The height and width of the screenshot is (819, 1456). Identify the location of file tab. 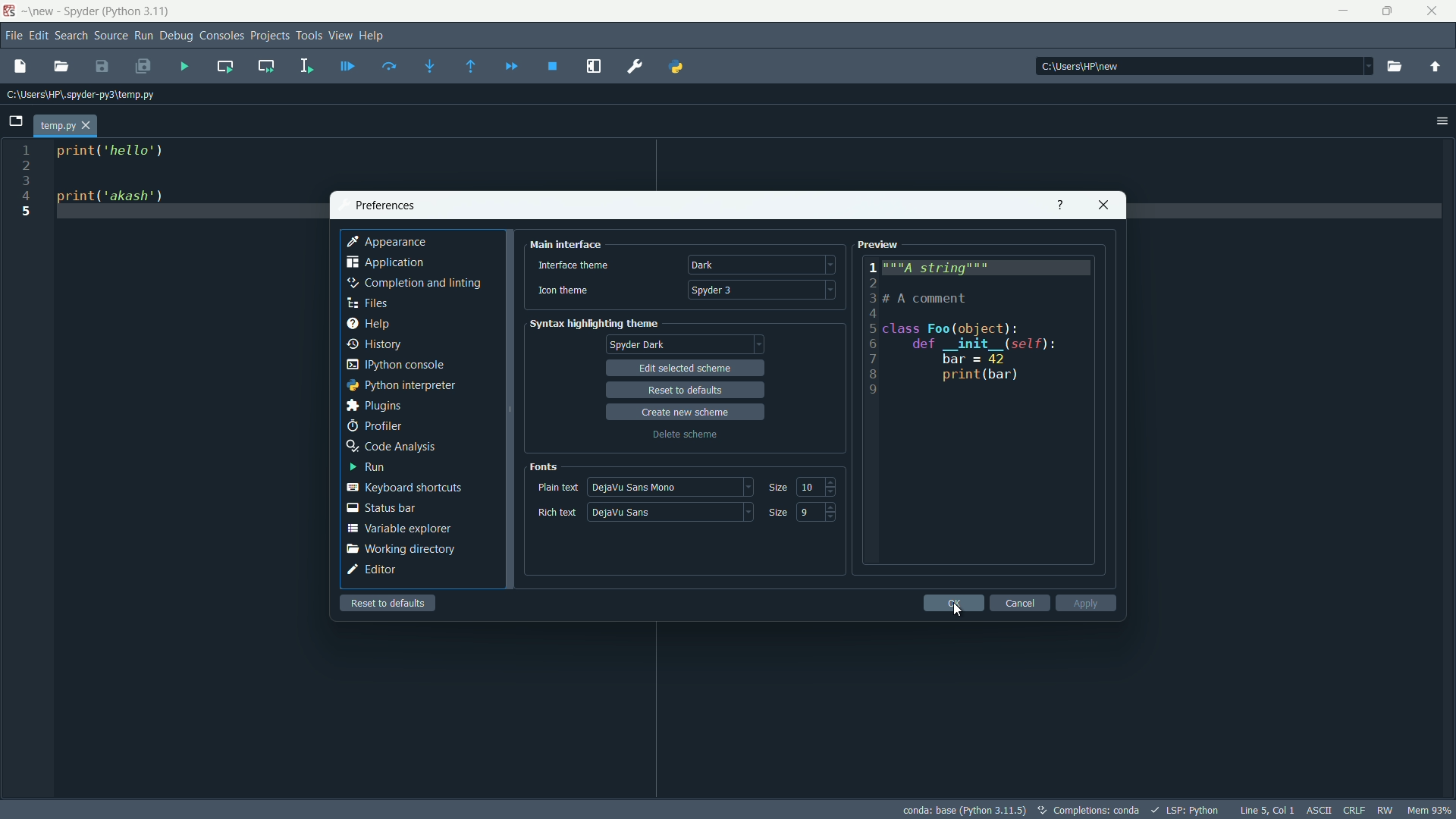
(66, 124).